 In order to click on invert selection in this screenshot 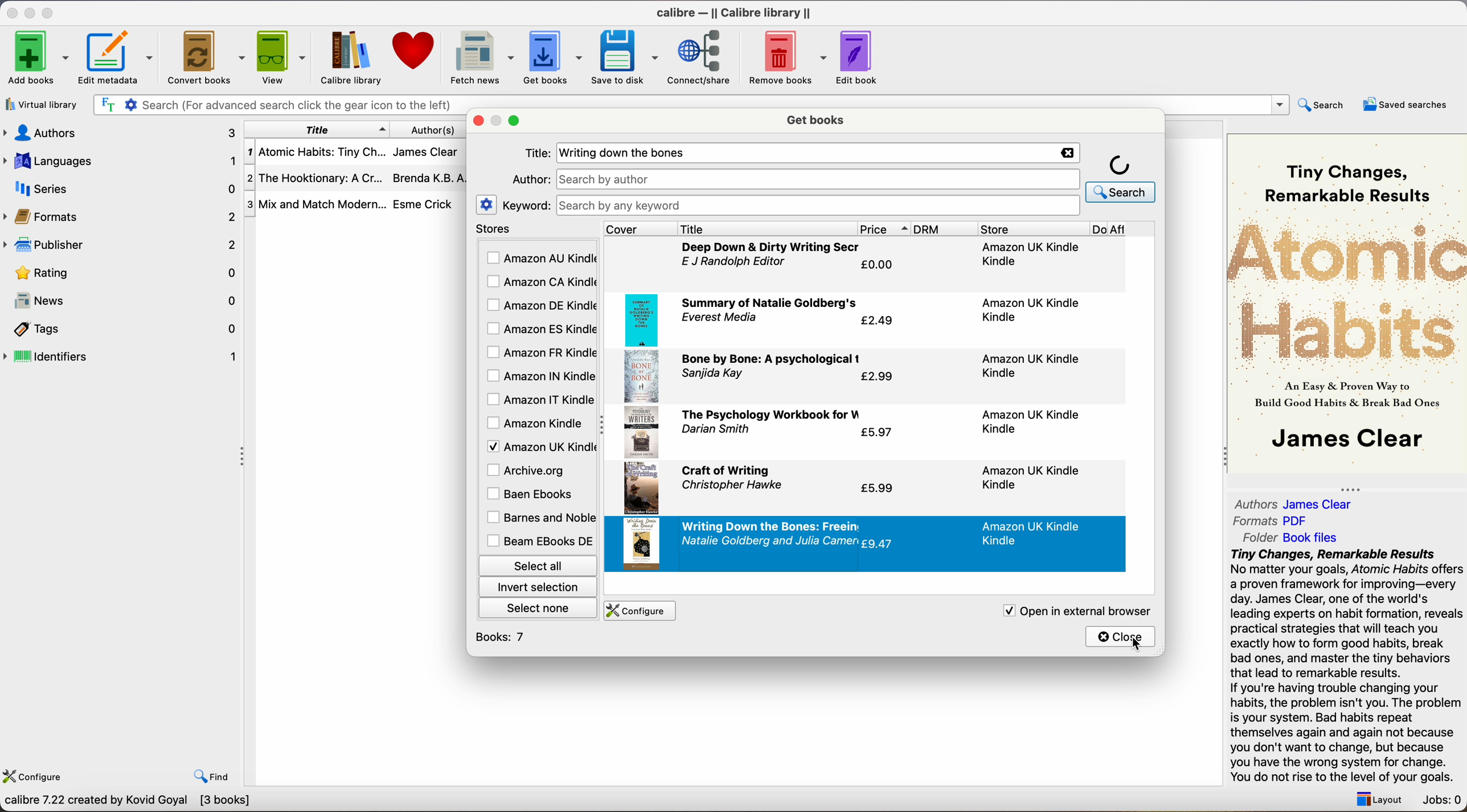, I will do `click(537, 587)`.